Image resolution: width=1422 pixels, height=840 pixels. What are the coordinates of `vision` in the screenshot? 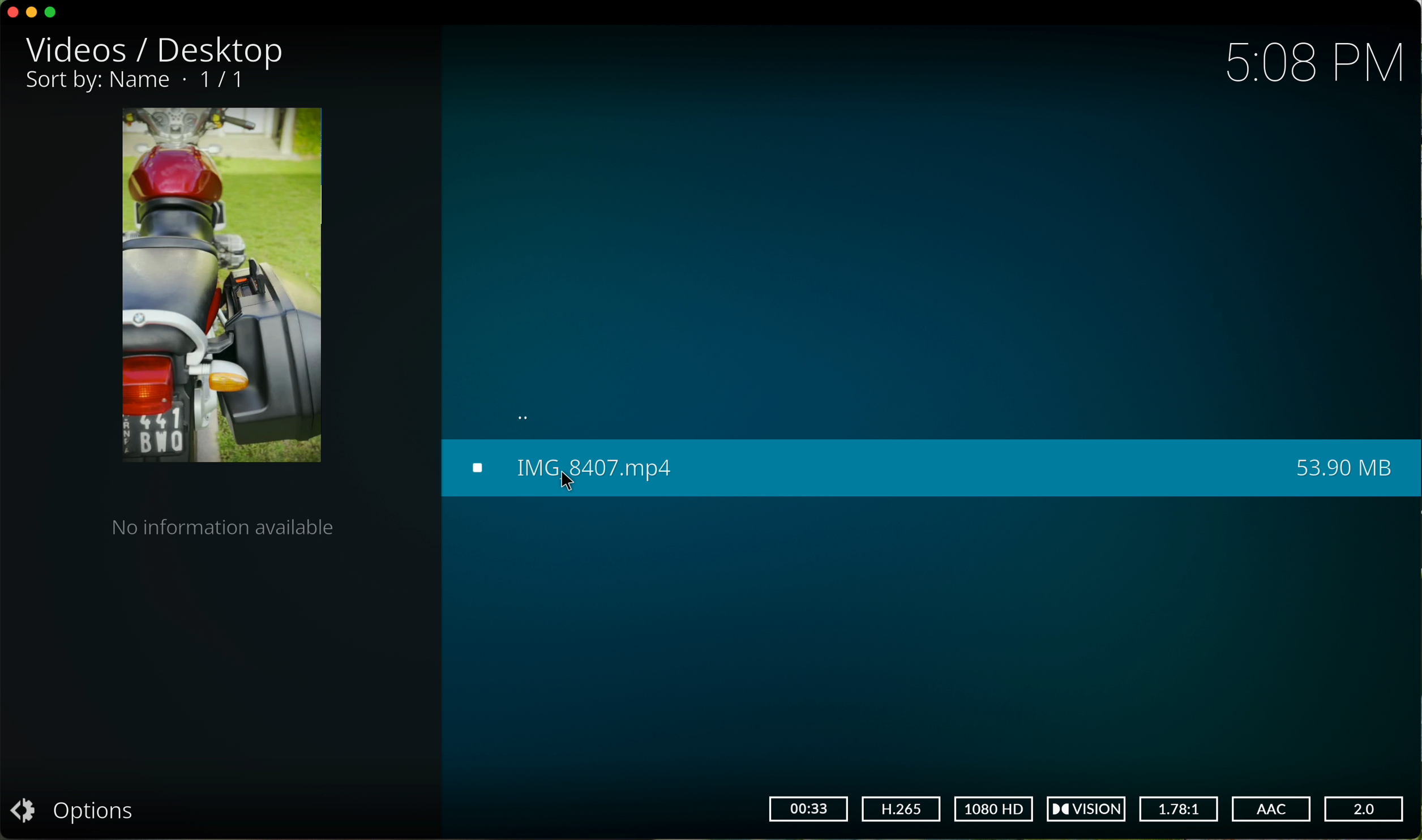 It's located at (1090, 809).